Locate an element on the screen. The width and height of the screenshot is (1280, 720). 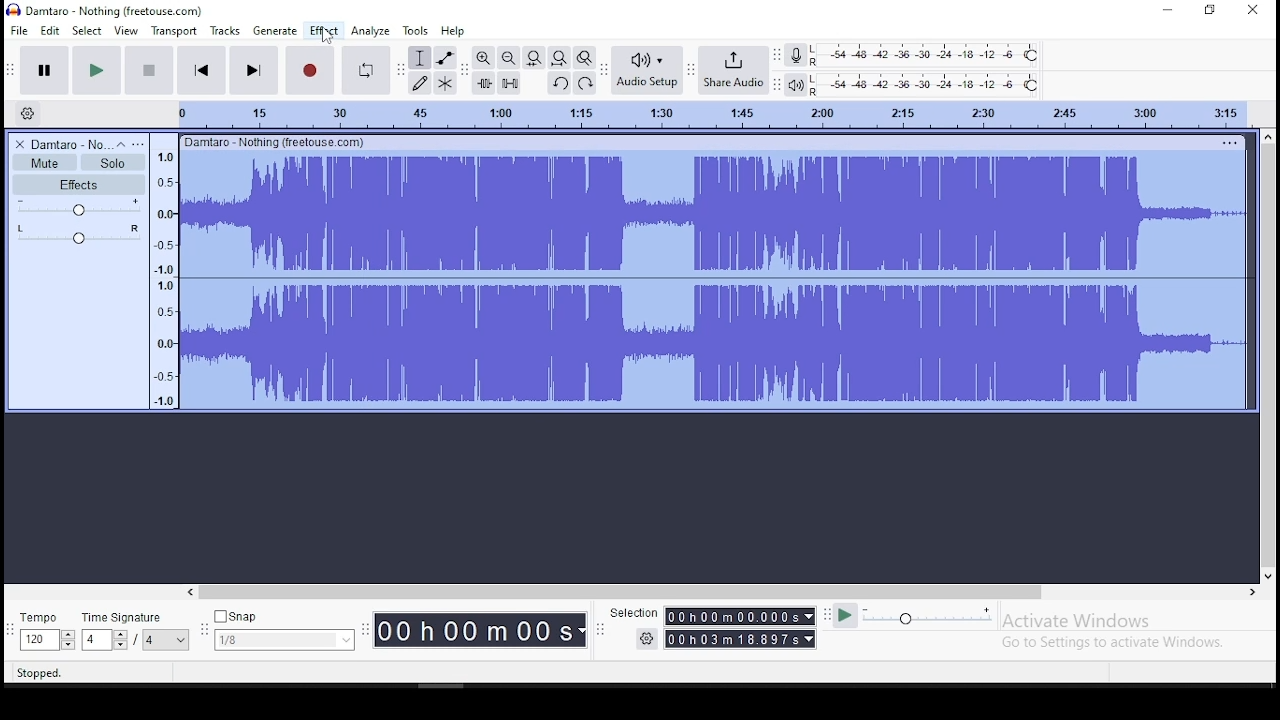
stop is located at coordinates (149, 69).